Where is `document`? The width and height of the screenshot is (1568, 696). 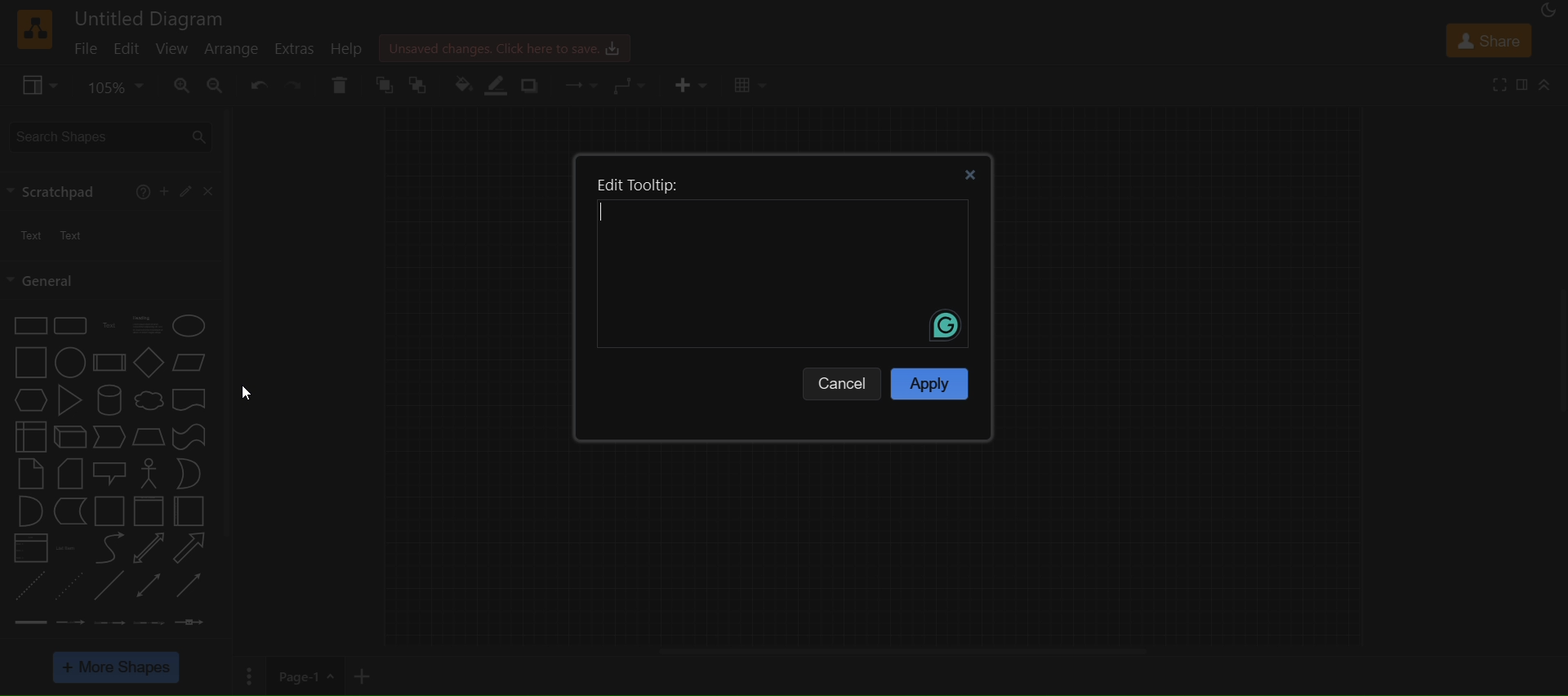 document is located at coordinates (193, 399).